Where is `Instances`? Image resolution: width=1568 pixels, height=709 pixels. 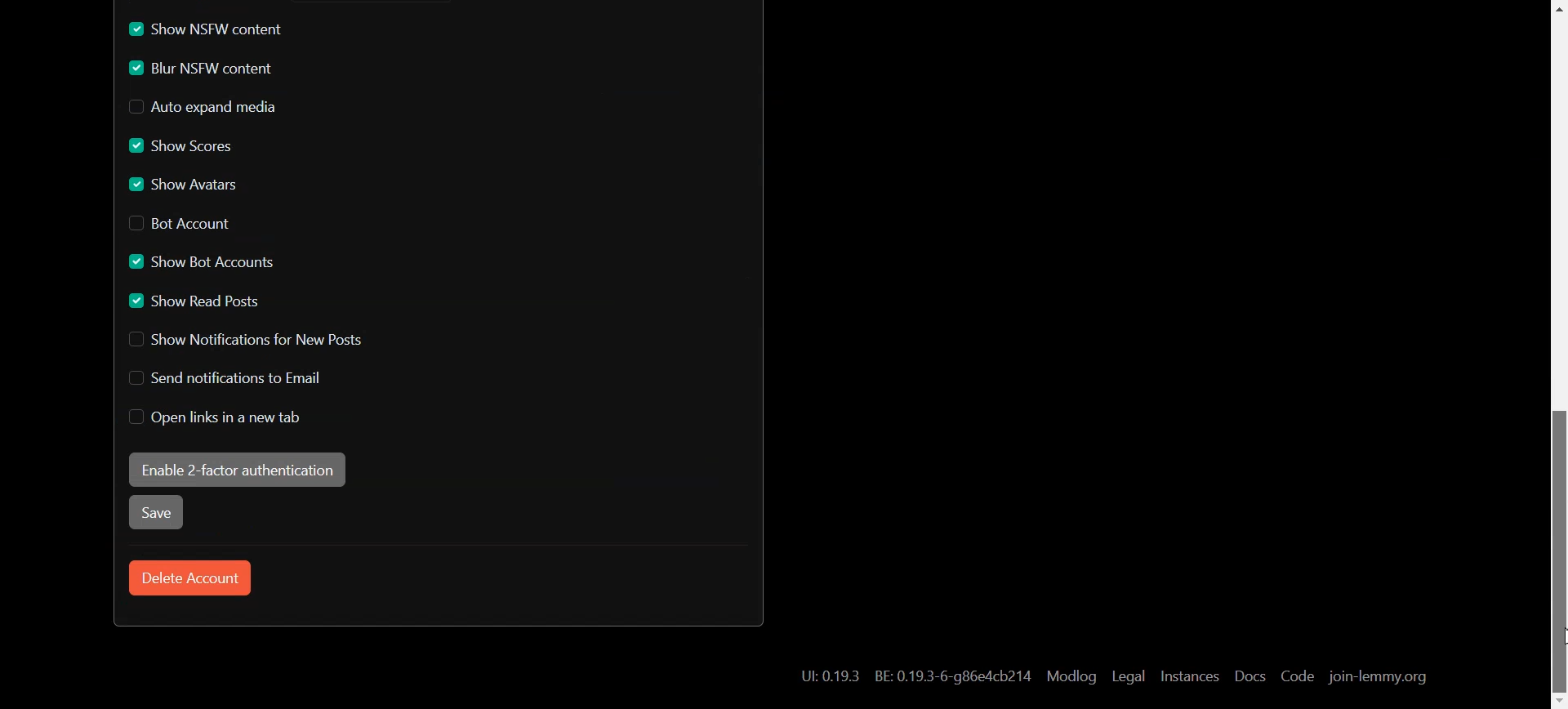 Instances is located at coordinates (1190, 676).